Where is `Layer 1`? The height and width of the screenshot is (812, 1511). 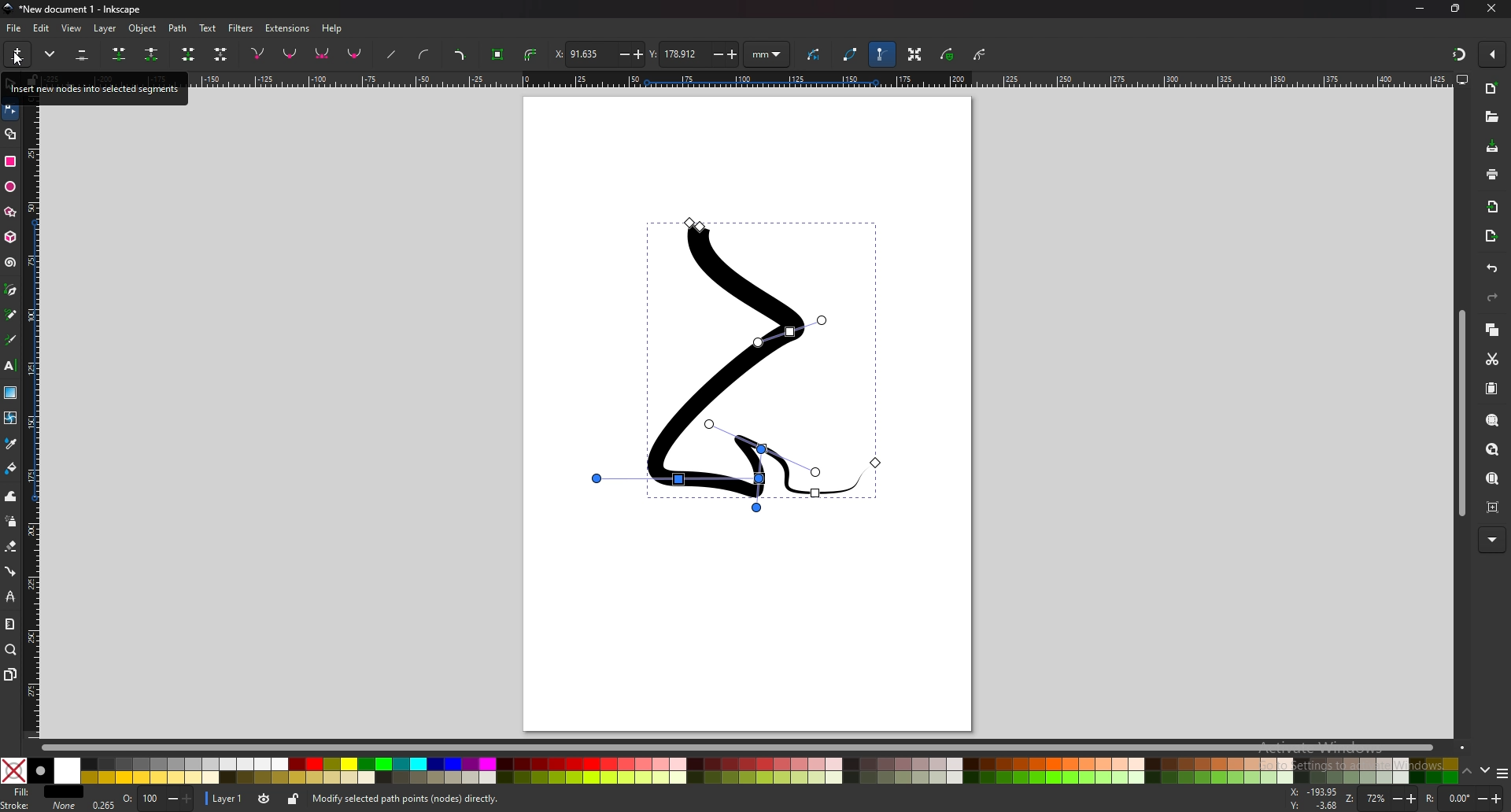
Layer 1 is located at coordinates (238, 800).